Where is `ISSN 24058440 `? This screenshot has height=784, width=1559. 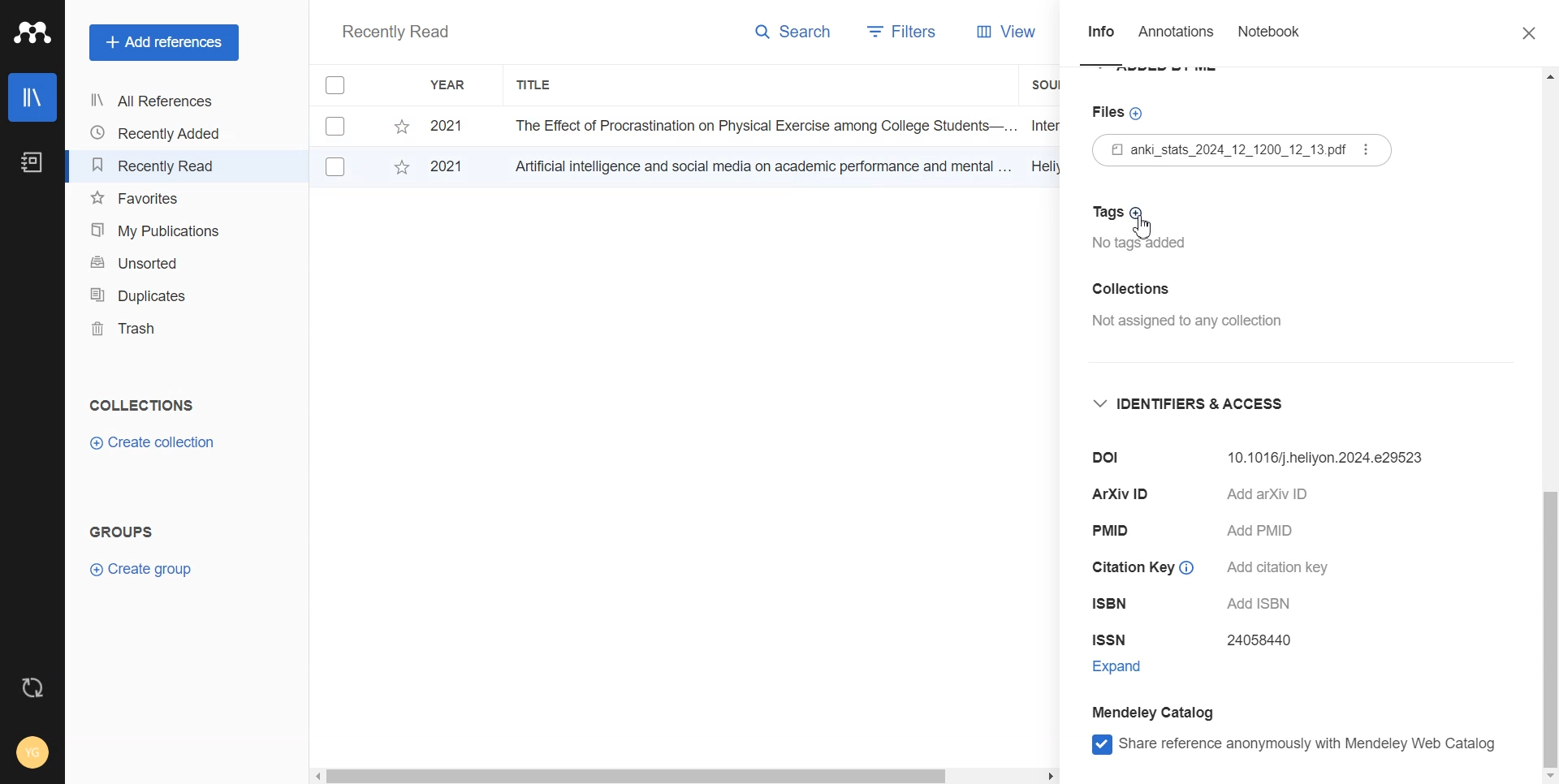 ISSN 24058440  is located at coordinates (1198, 640).